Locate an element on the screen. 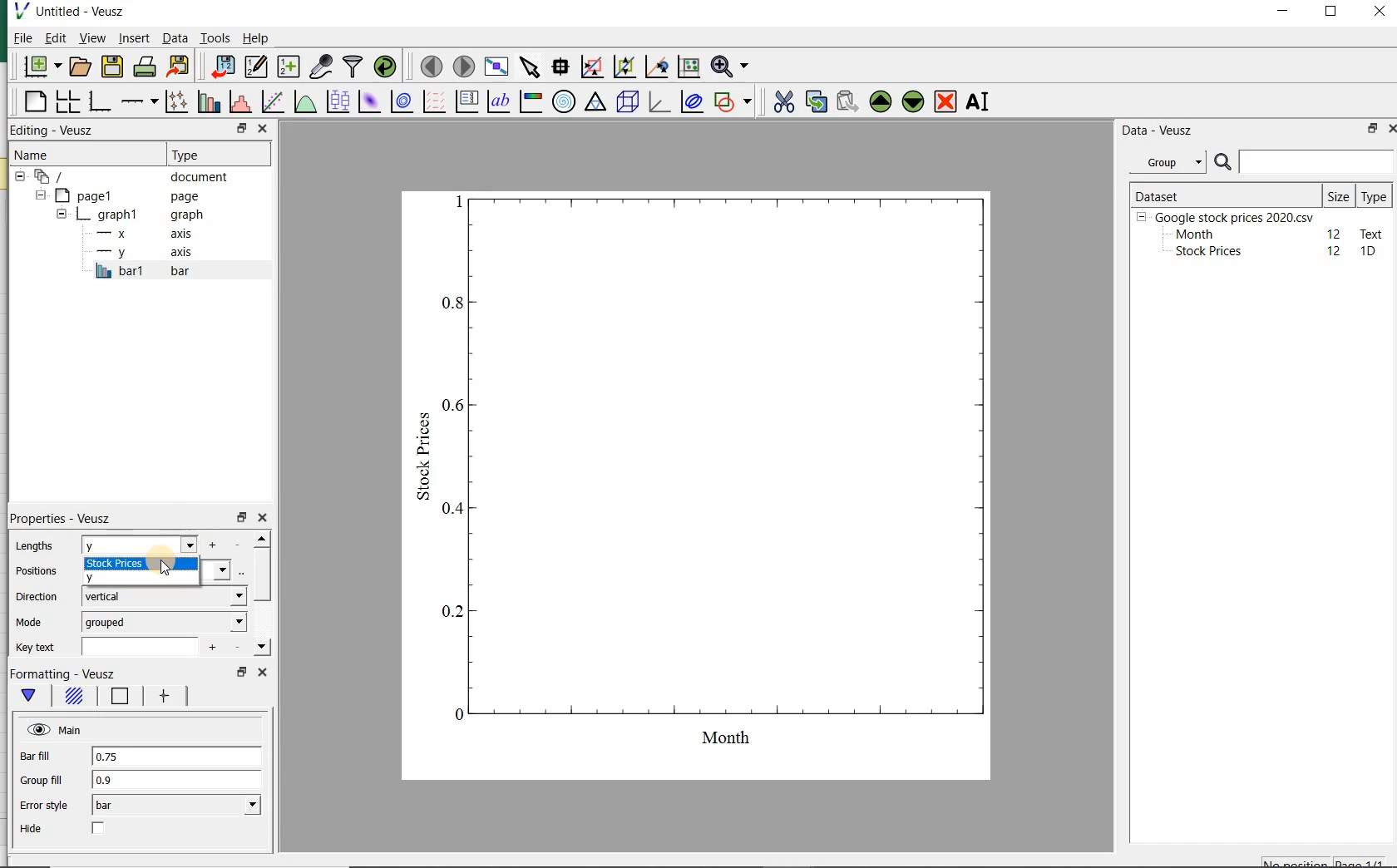 This screenshot has height=868, width=1397. plot a 2d dataset as an image is located at coordinates (368, 101).